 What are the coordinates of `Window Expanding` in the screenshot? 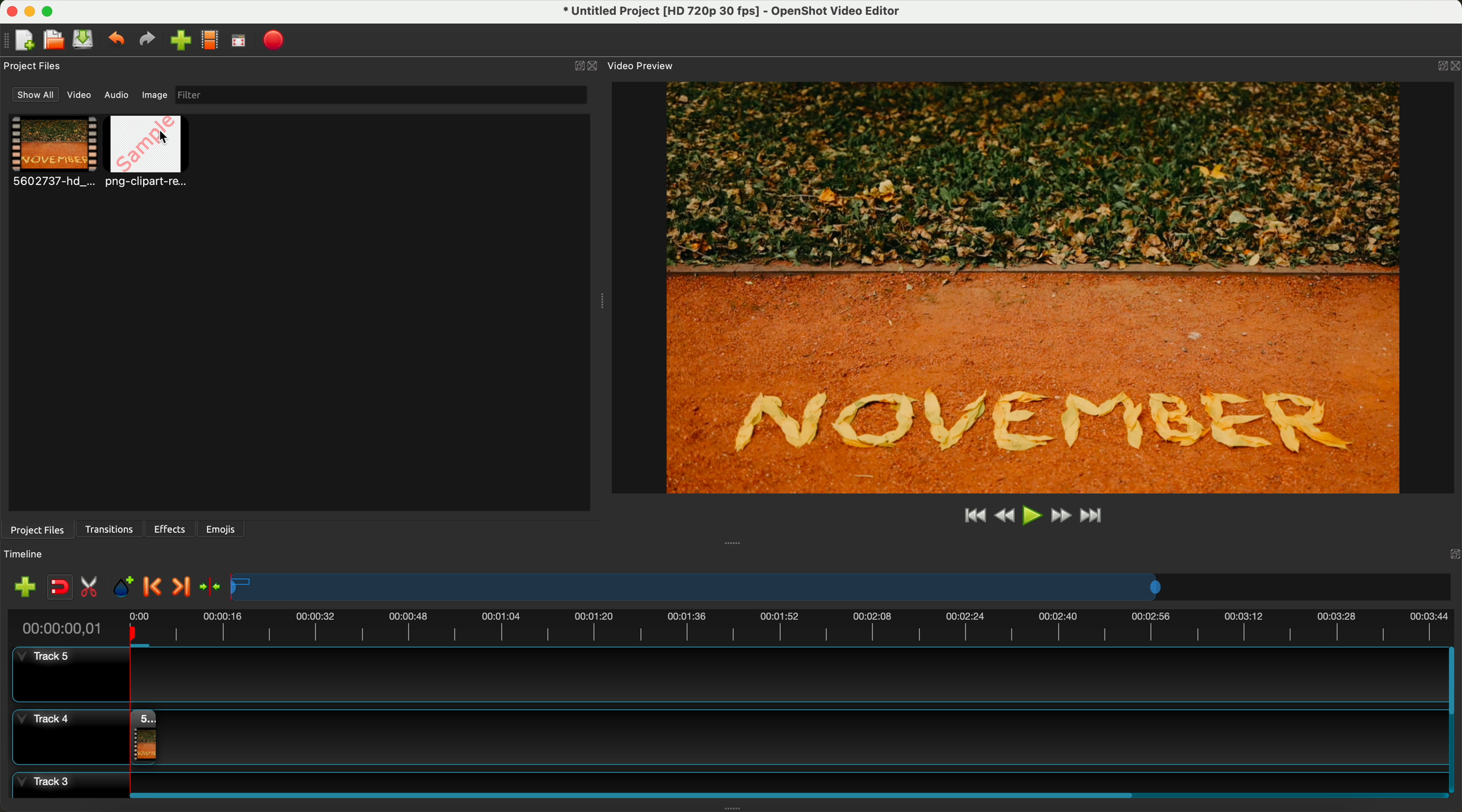 It's located at (599, 302).